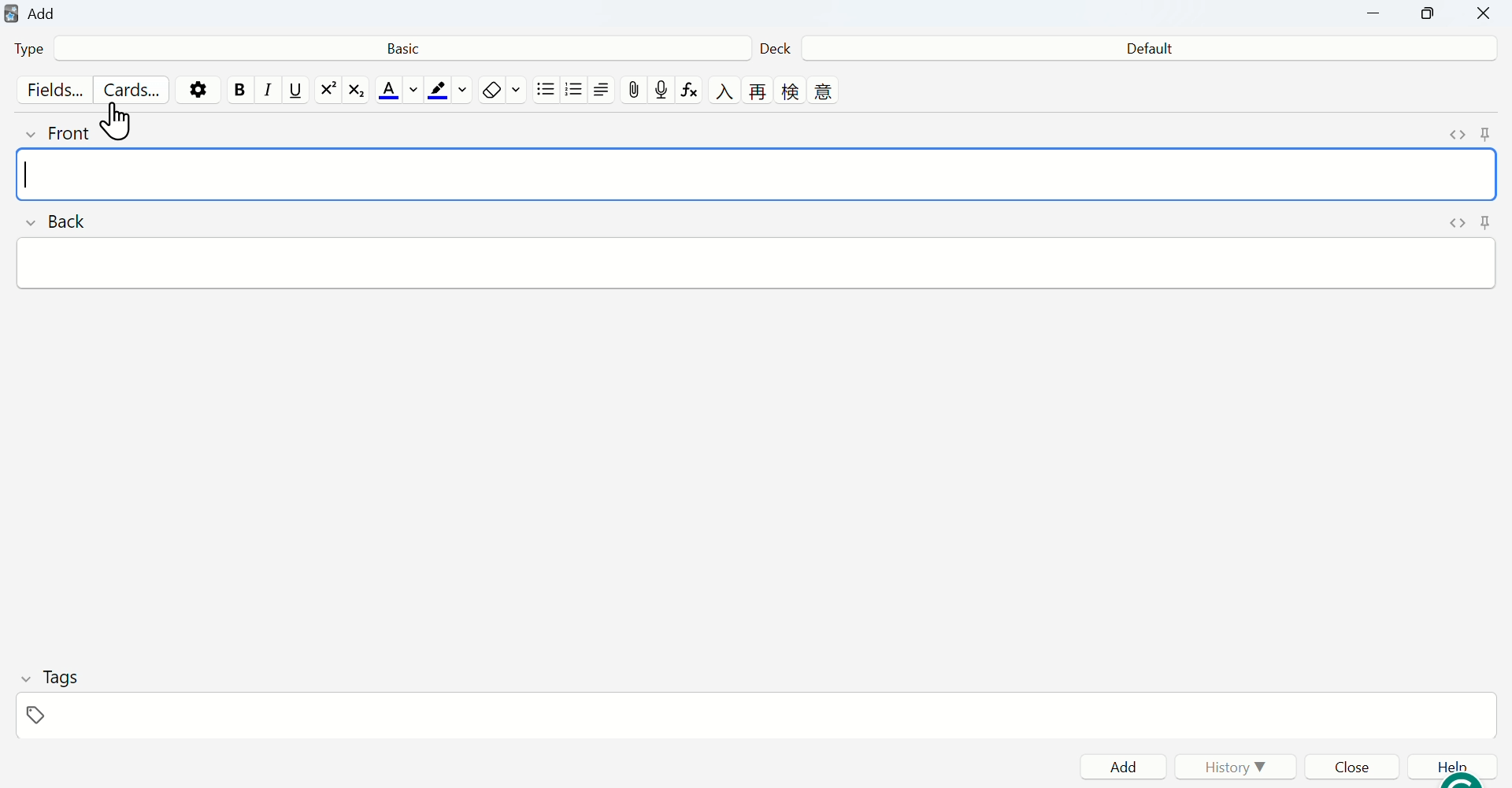 This screenshot has width=1512, height=788. I want to click on Default, so click(1153, 49).